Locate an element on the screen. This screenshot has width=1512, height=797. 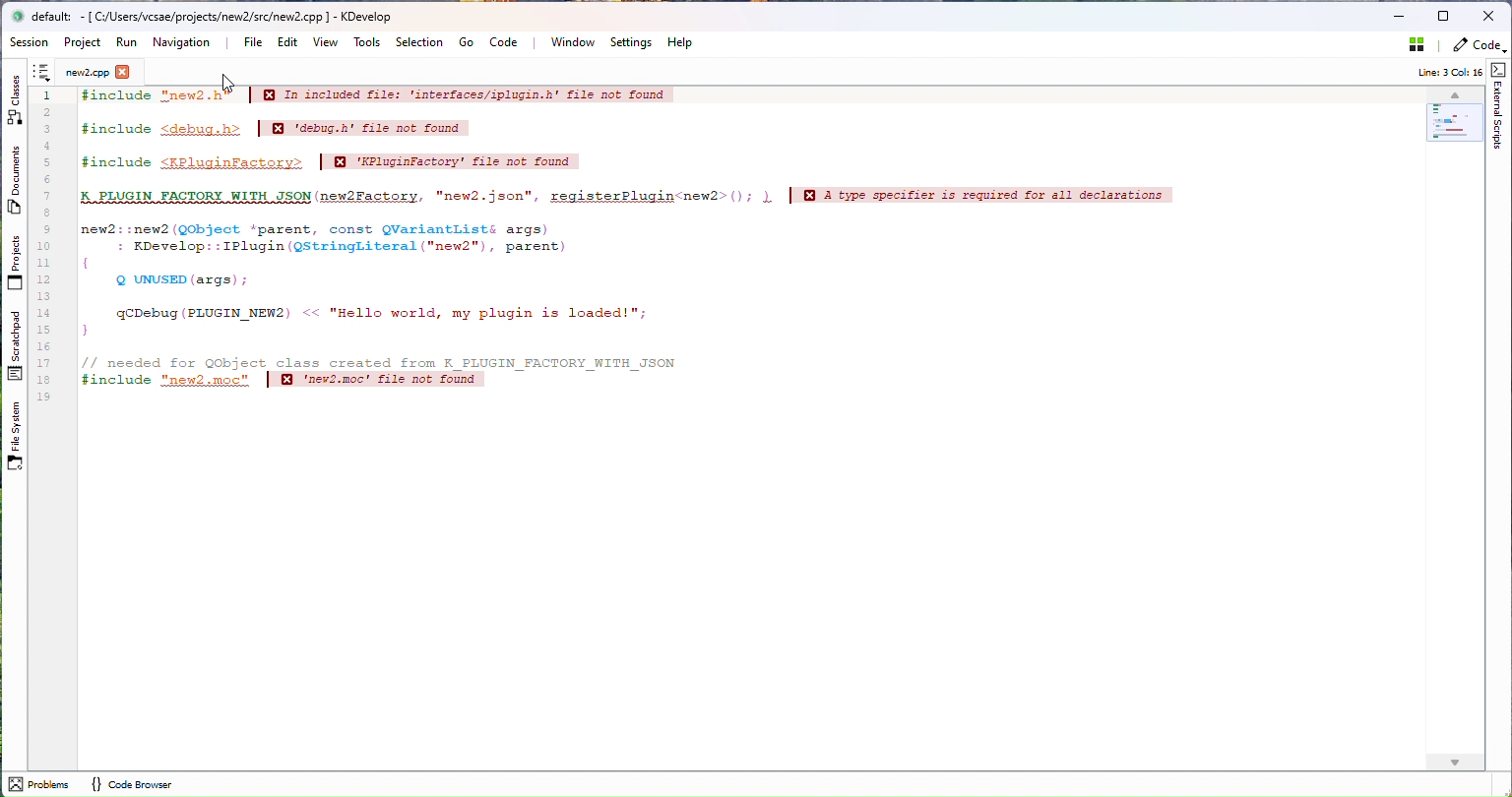
problems is located at coordinates (38, 784).